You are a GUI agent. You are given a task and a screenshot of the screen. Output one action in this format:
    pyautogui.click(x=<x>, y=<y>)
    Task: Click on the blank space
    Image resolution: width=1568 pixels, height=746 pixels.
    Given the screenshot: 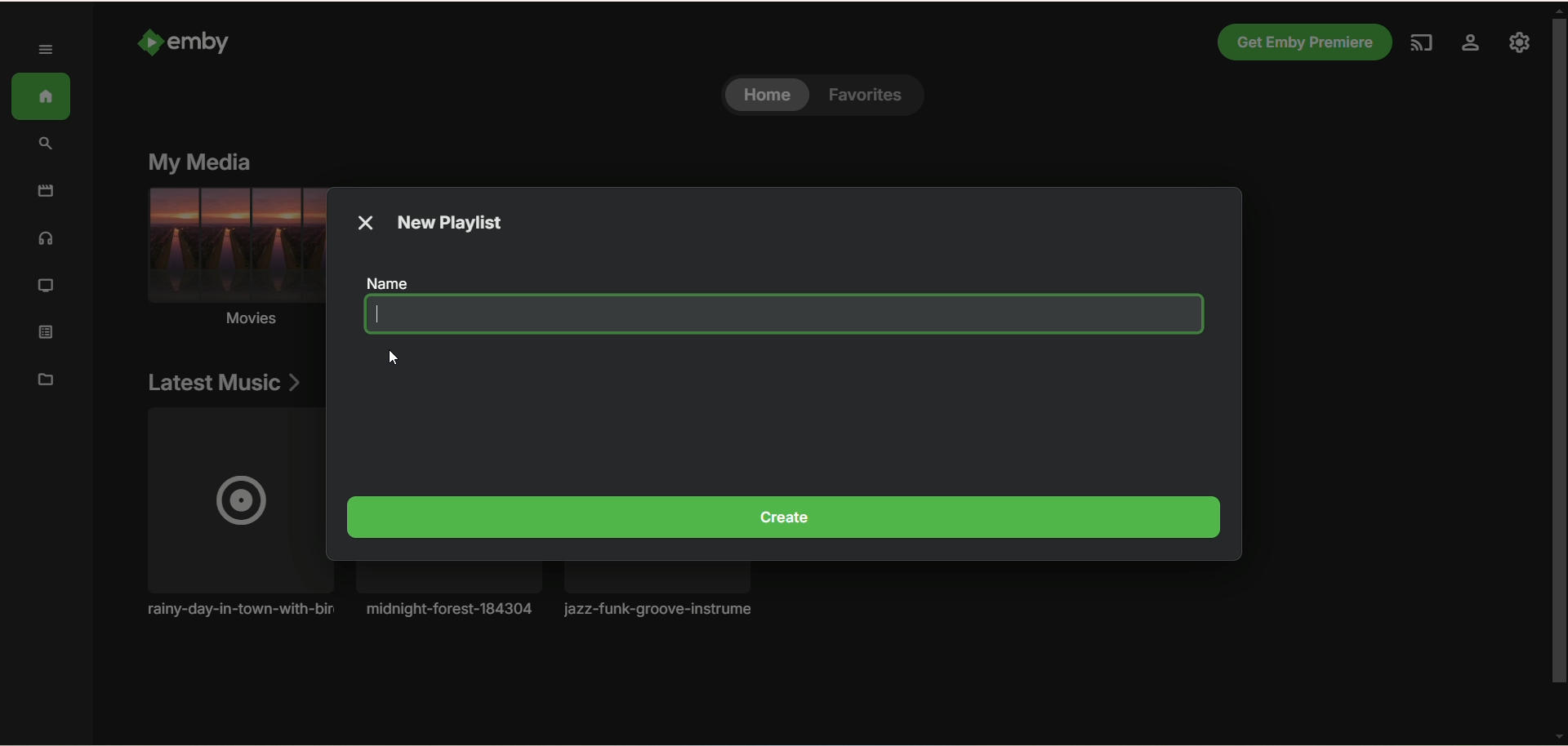 What is the action you would take?
    pyautogui.click(x=785, y=314)
    